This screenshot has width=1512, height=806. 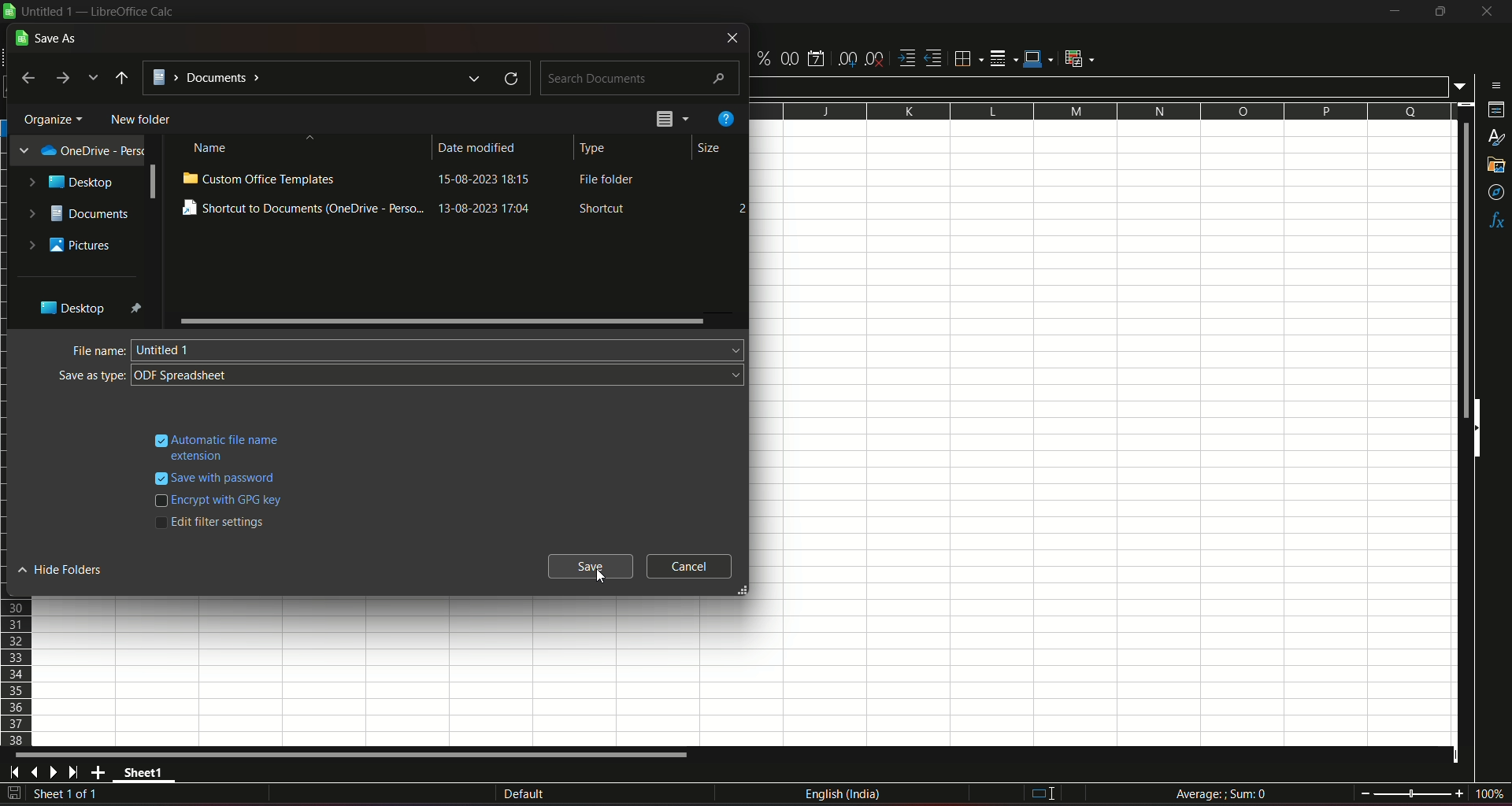 What do you see at coordinates (213, 149) in the screenshot?
I see `name` at bounding box center [213, 149].